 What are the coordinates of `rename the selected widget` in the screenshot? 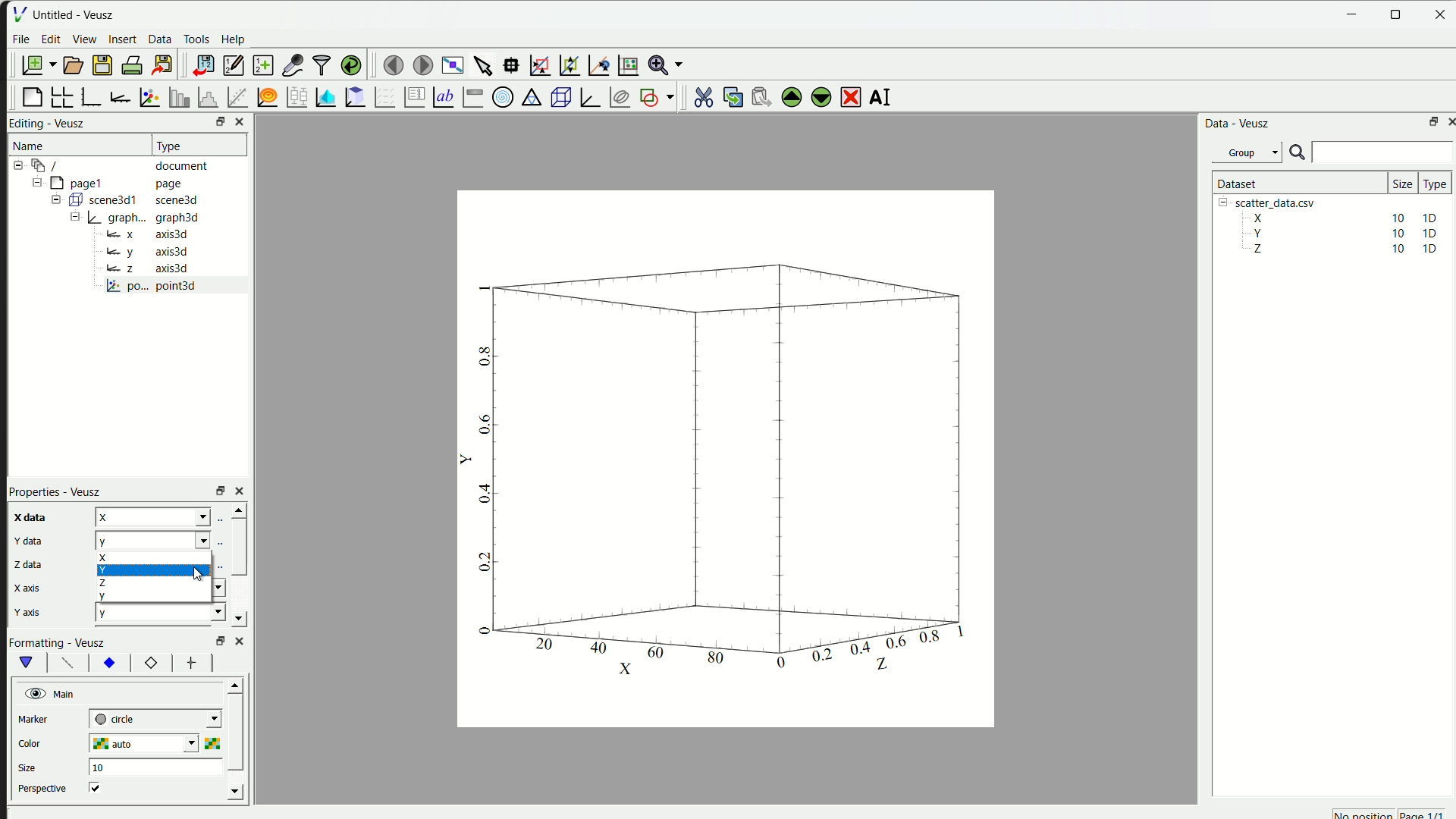 It's located at (880, 96).